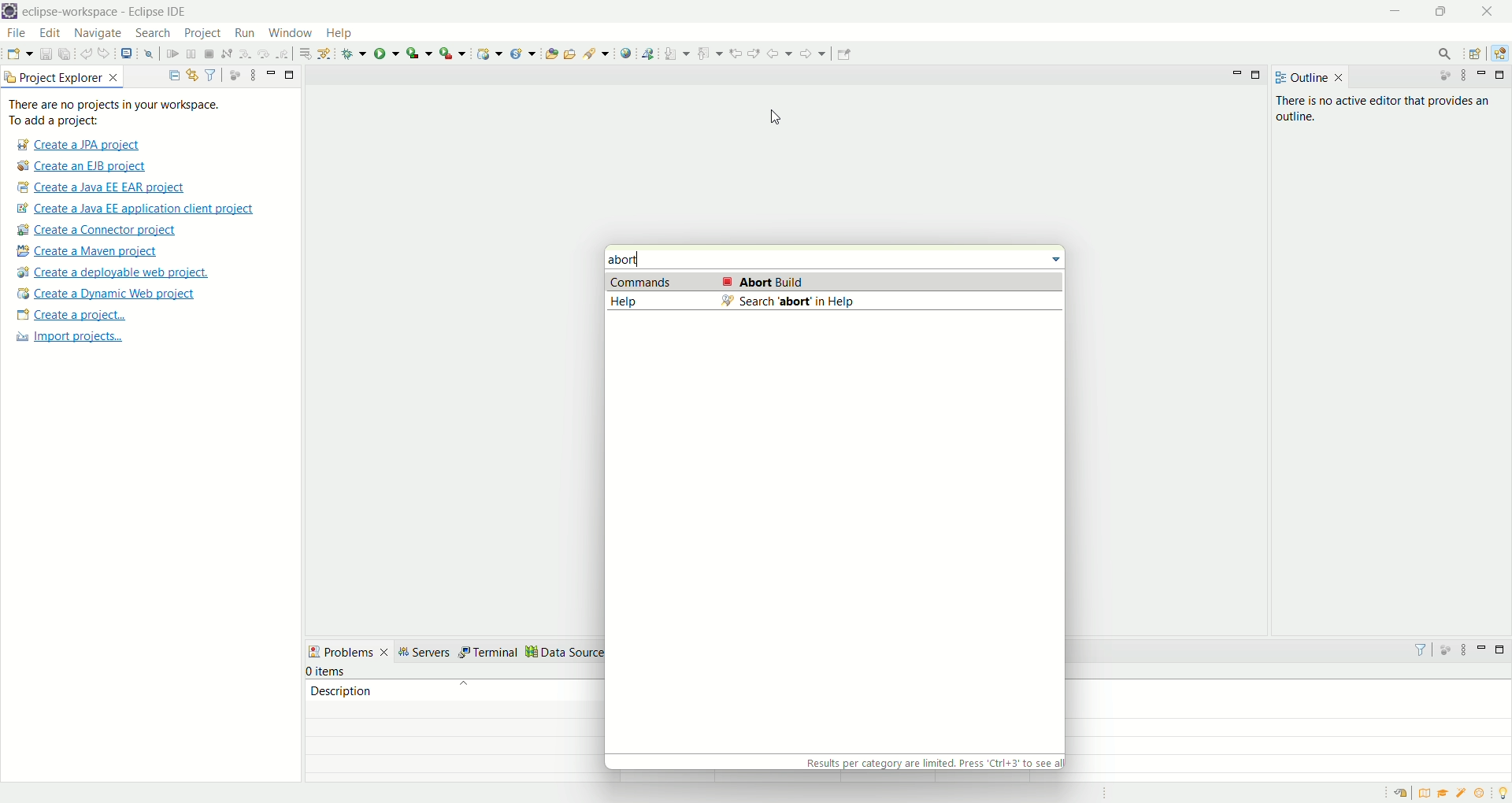 The width and height of the screenshot is (1512, 803). I want to click on run last tool, so click(451, 54).